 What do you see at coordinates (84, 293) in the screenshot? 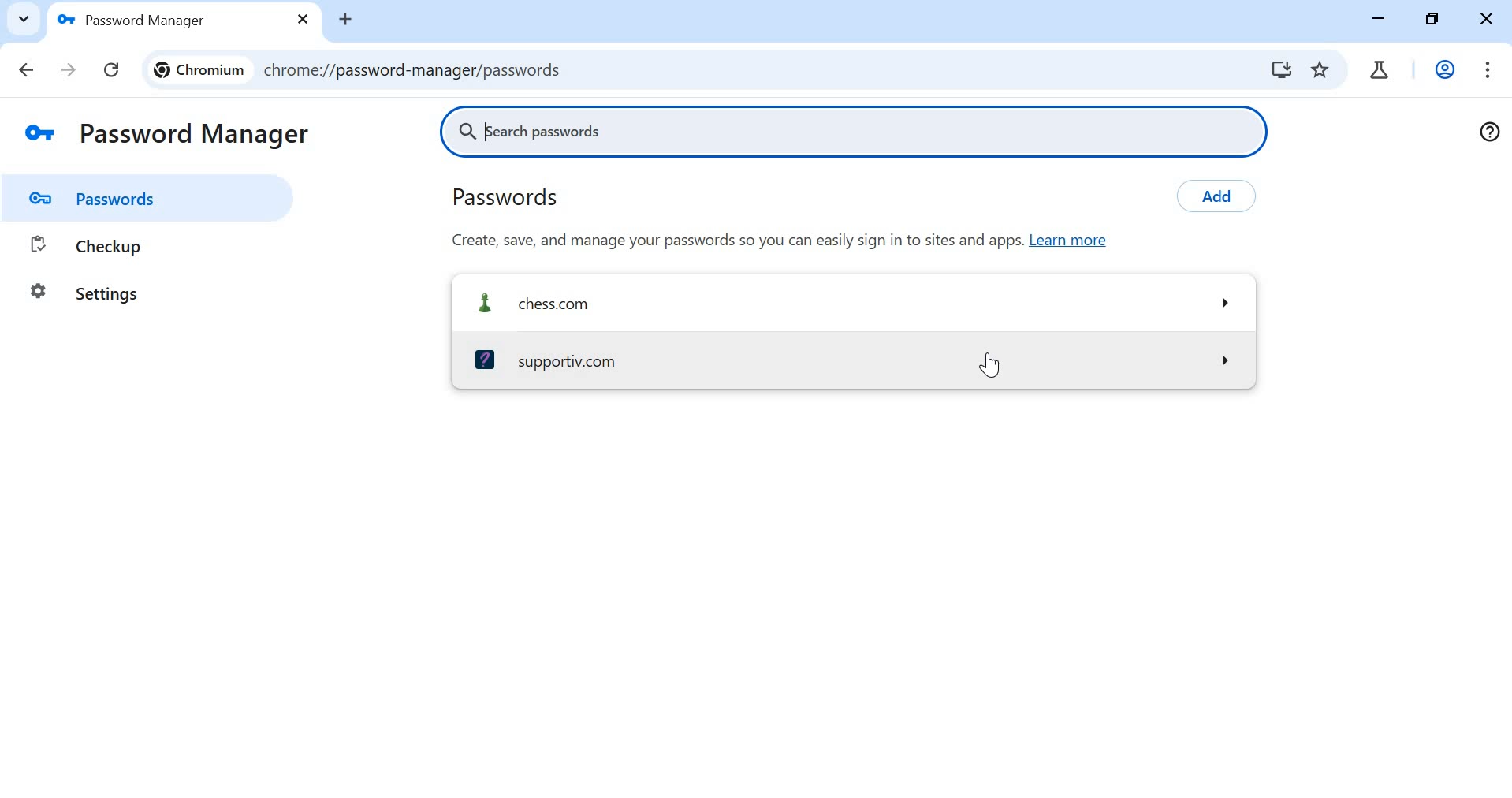
I see `settings` at bounding box center [84, 293].